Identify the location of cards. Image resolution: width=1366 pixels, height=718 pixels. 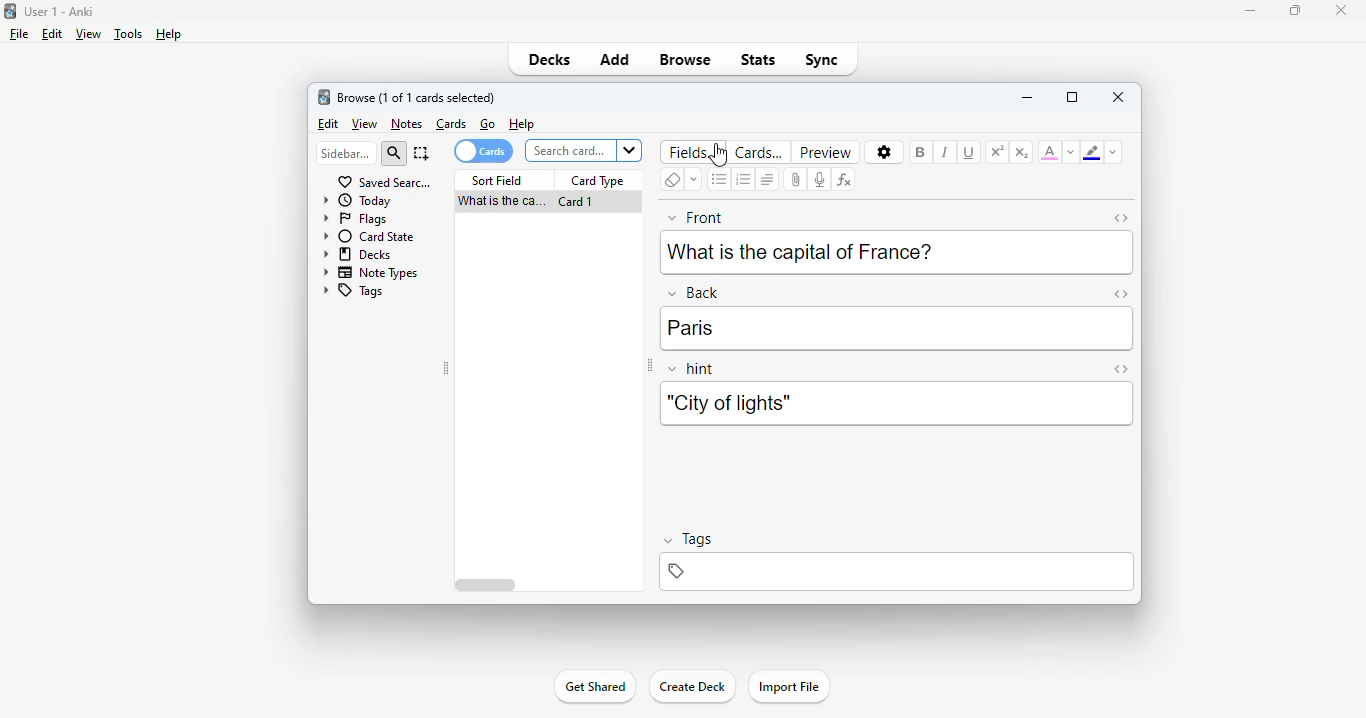
(482, 151).